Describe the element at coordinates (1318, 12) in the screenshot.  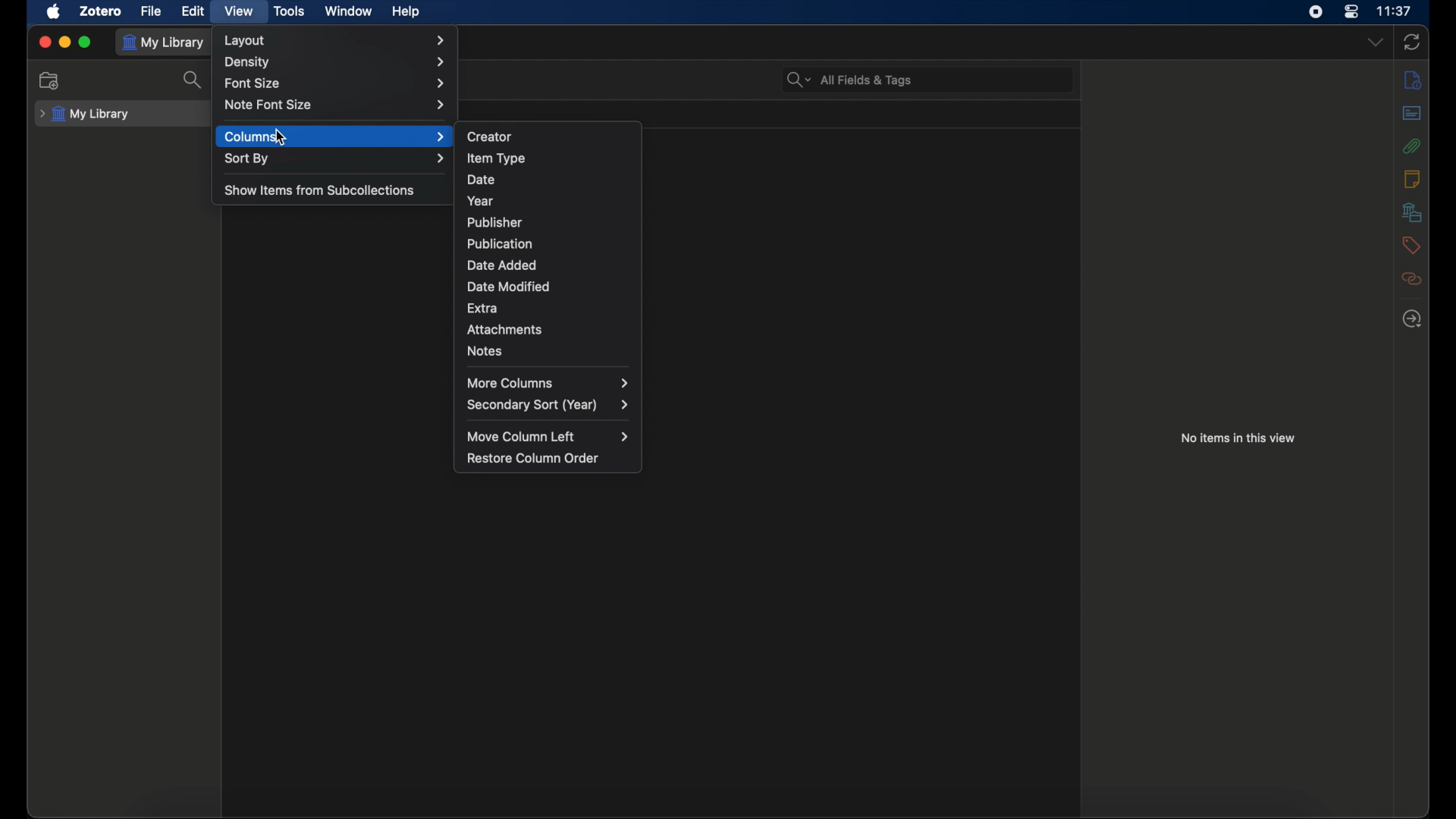
I see `screen recorder` at that location.